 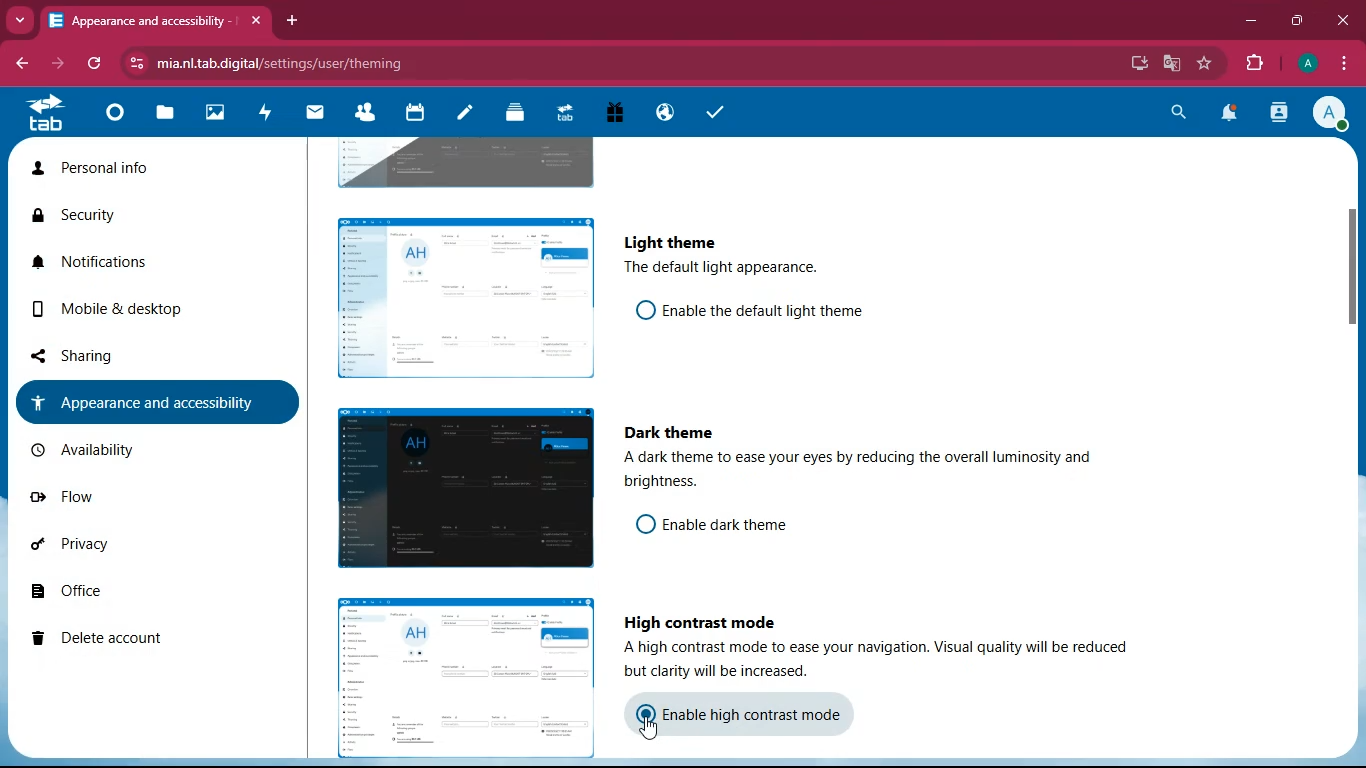 I want to click on sharing, so click(x=122, y=355).